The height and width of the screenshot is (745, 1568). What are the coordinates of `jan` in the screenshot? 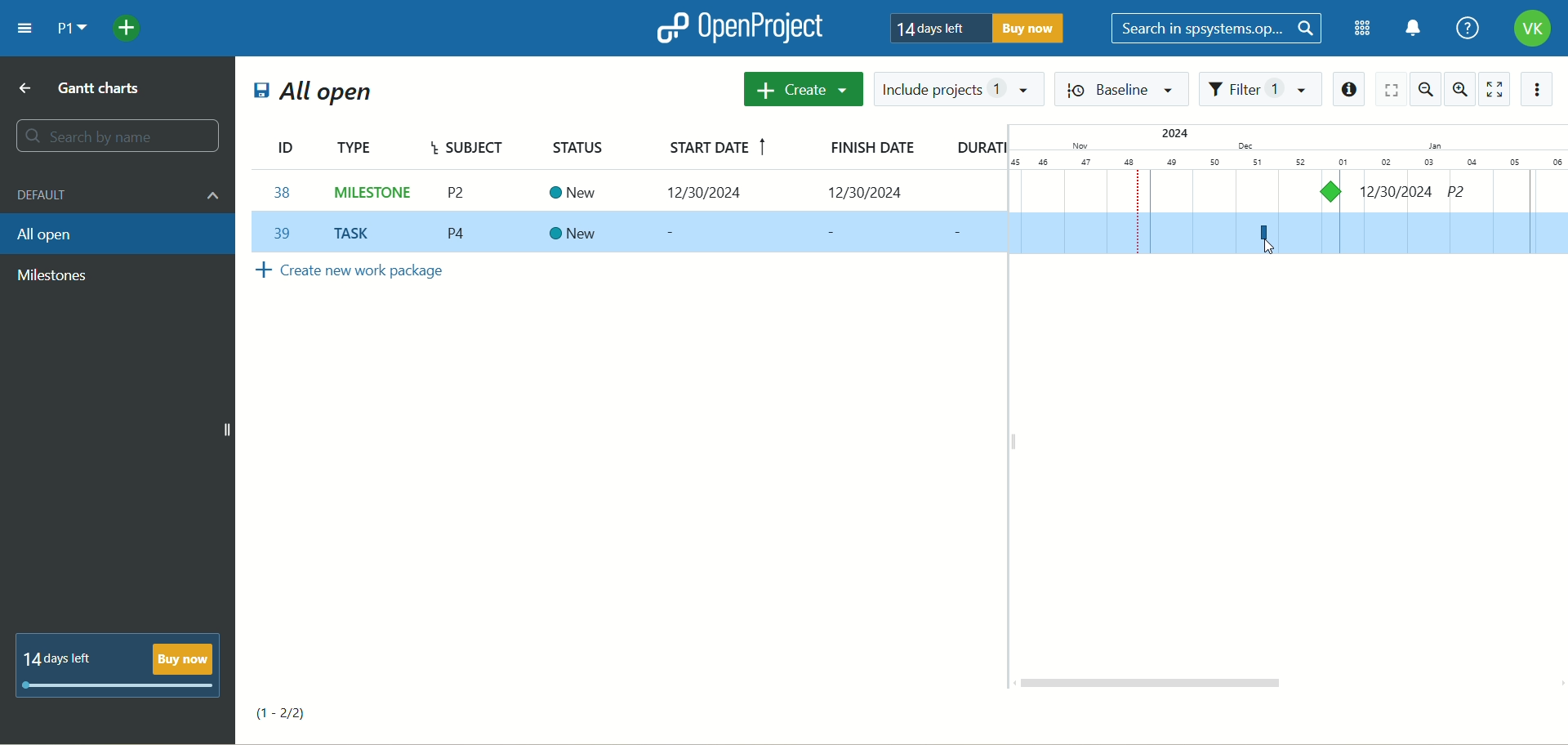 It's located at (1432, 141).